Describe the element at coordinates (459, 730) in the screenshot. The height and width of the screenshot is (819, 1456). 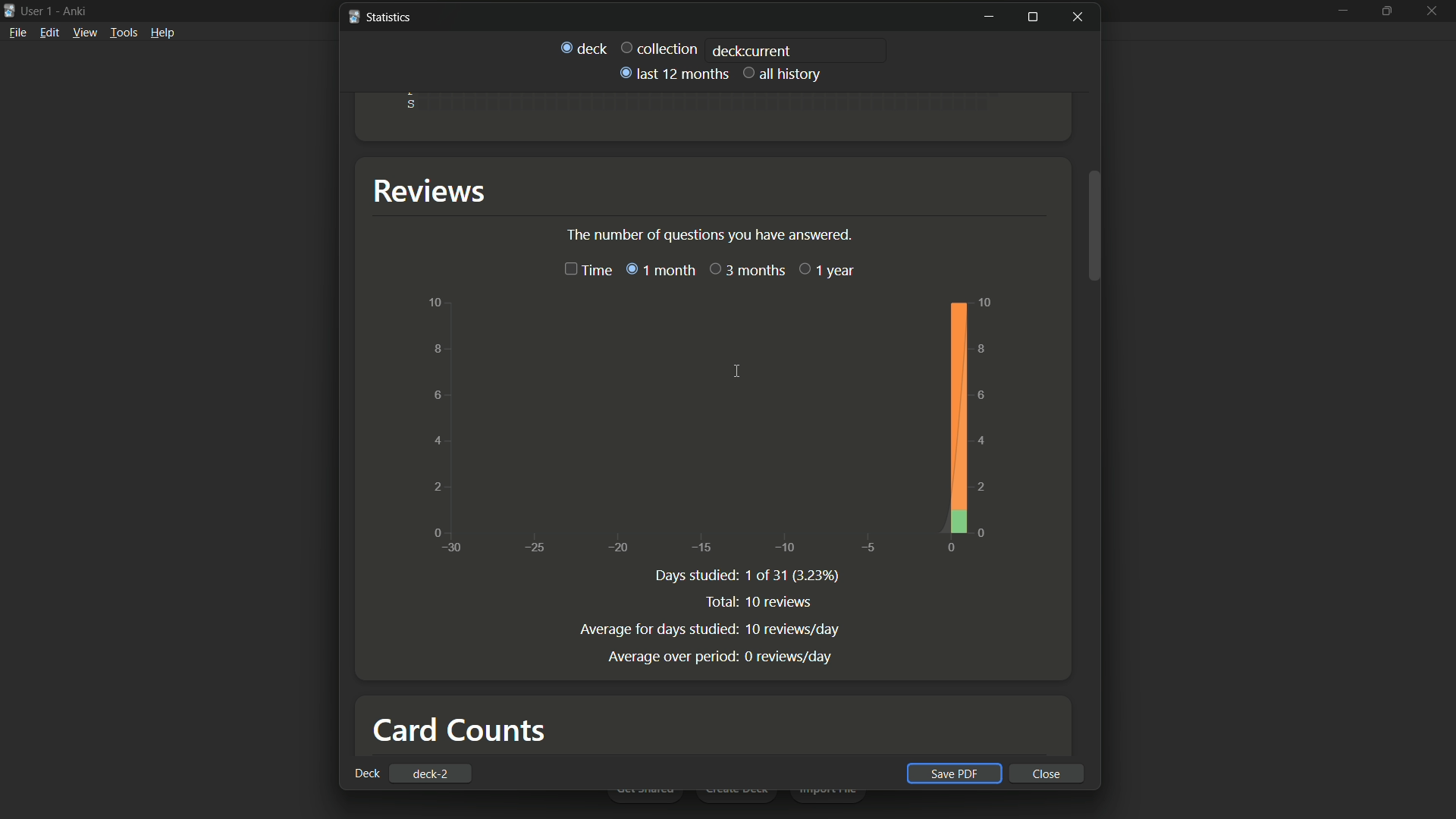
I see `Card counts` at that location.